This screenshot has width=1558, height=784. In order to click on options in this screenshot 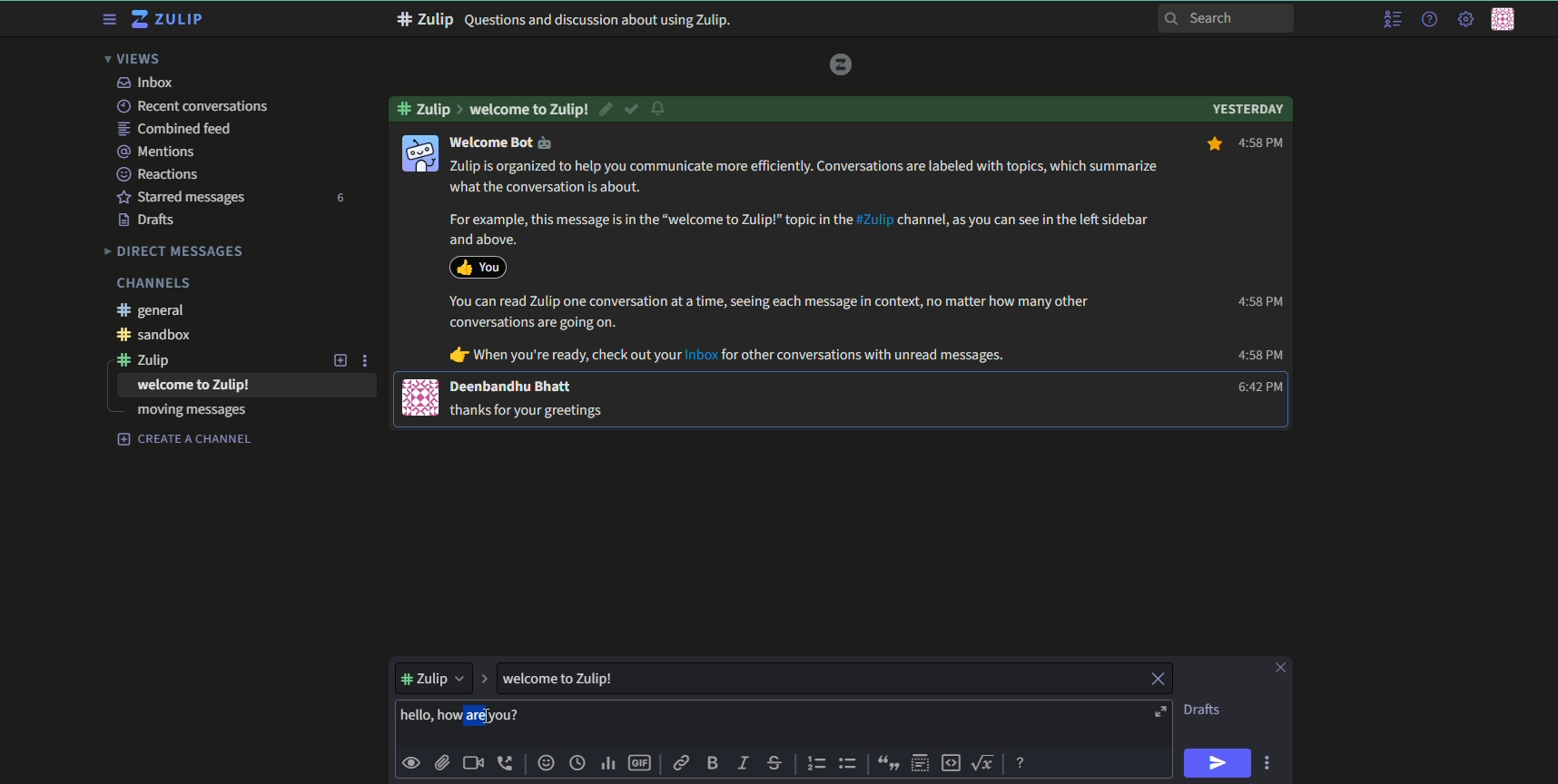, I will do `click(1270, 762)`.